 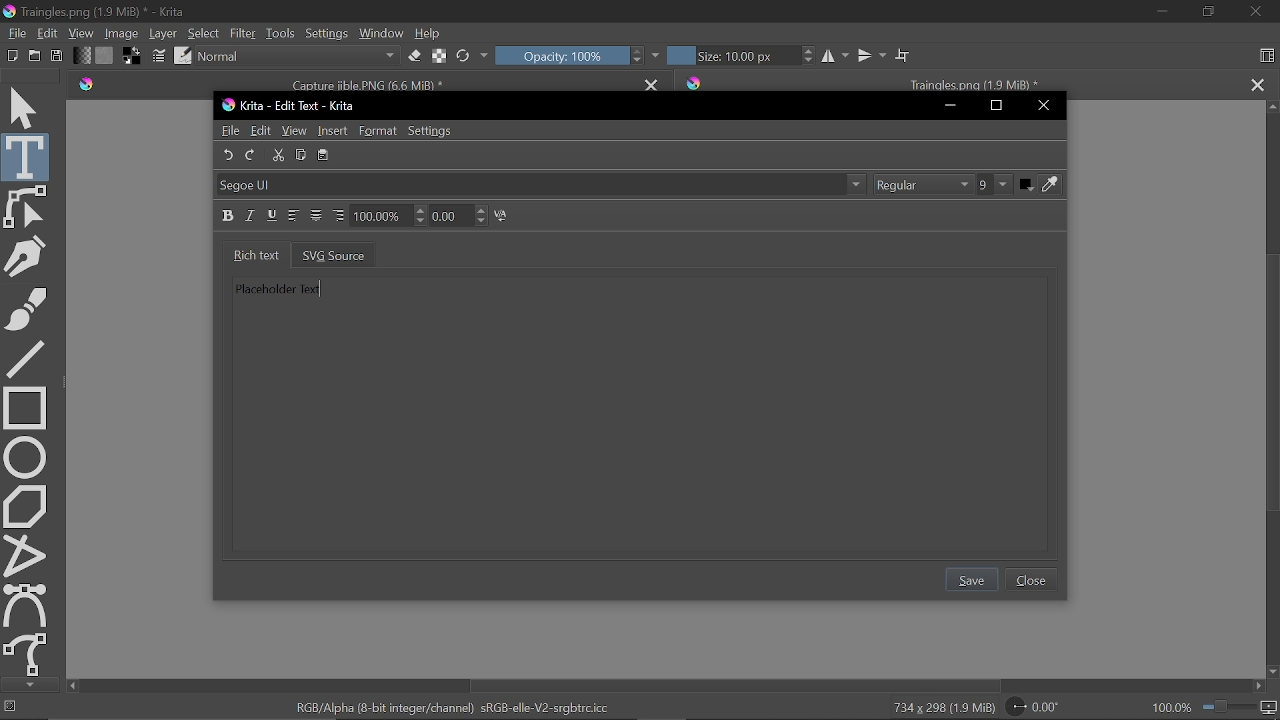 I want to click on Italic, so click(x=251, y=217).